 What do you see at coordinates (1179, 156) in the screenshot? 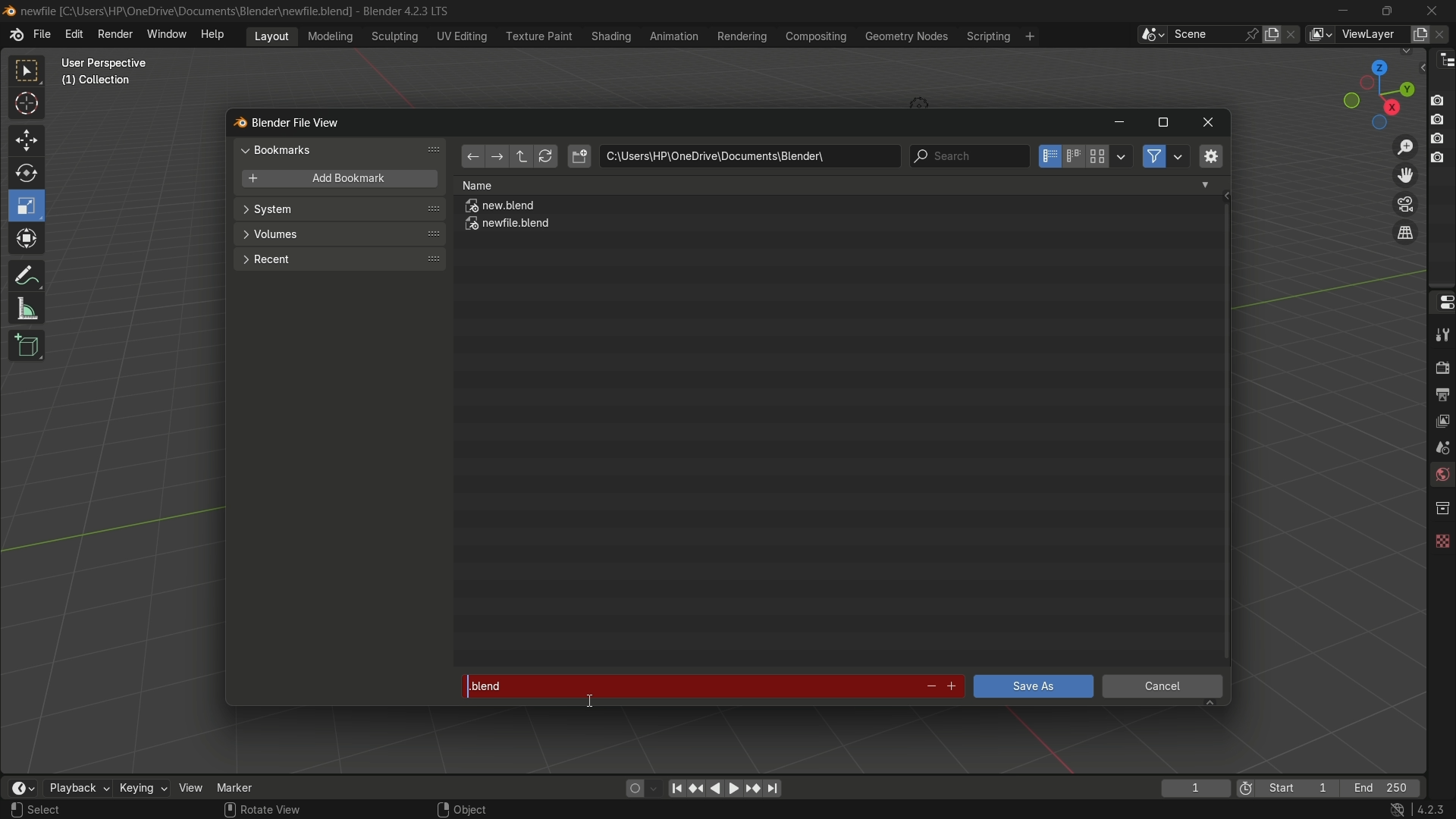
I see `filter settings` at bounding box center [1179, 156].